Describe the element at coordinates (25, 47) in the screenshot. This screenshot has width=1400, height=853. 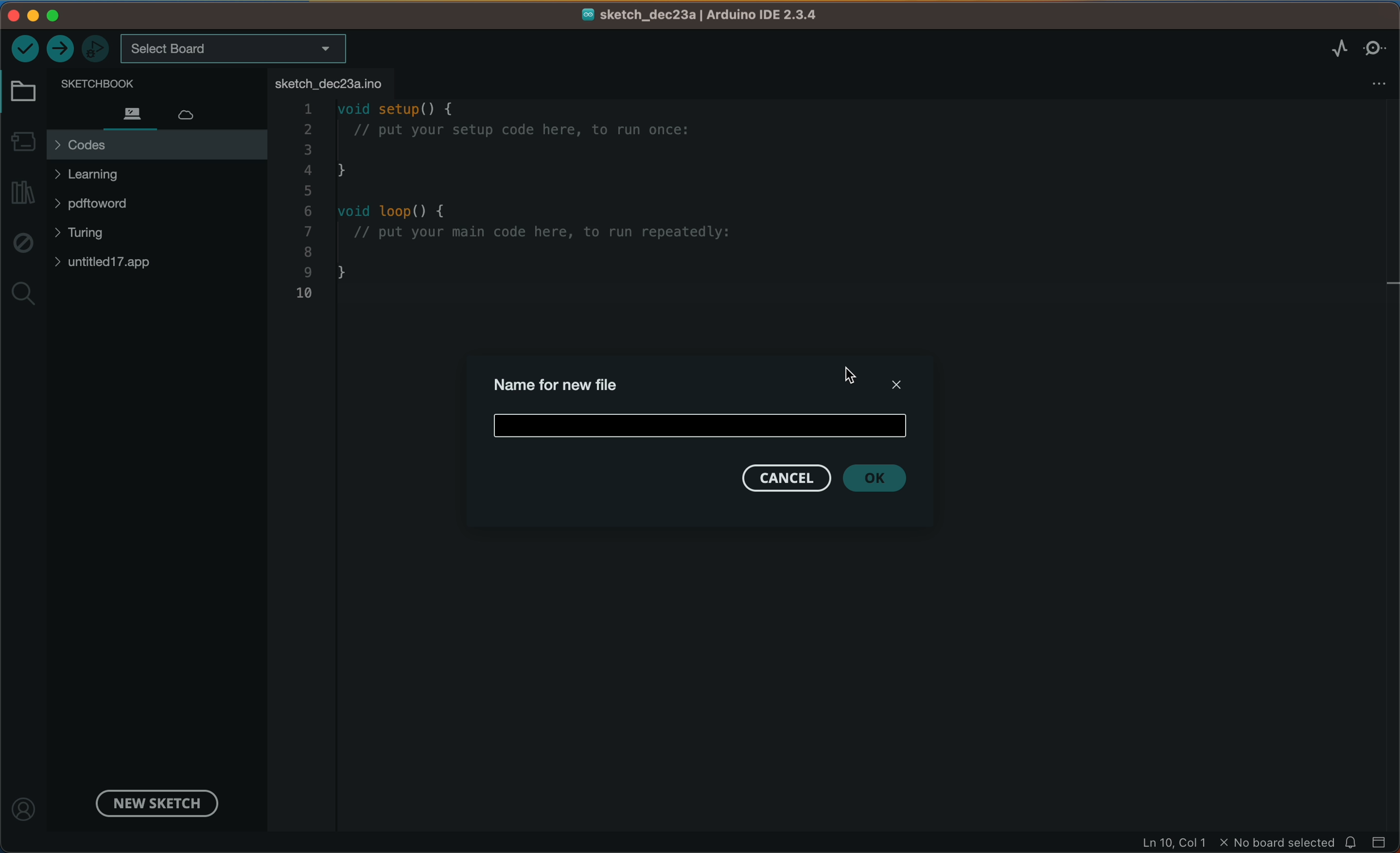
I see `verify` at that location.